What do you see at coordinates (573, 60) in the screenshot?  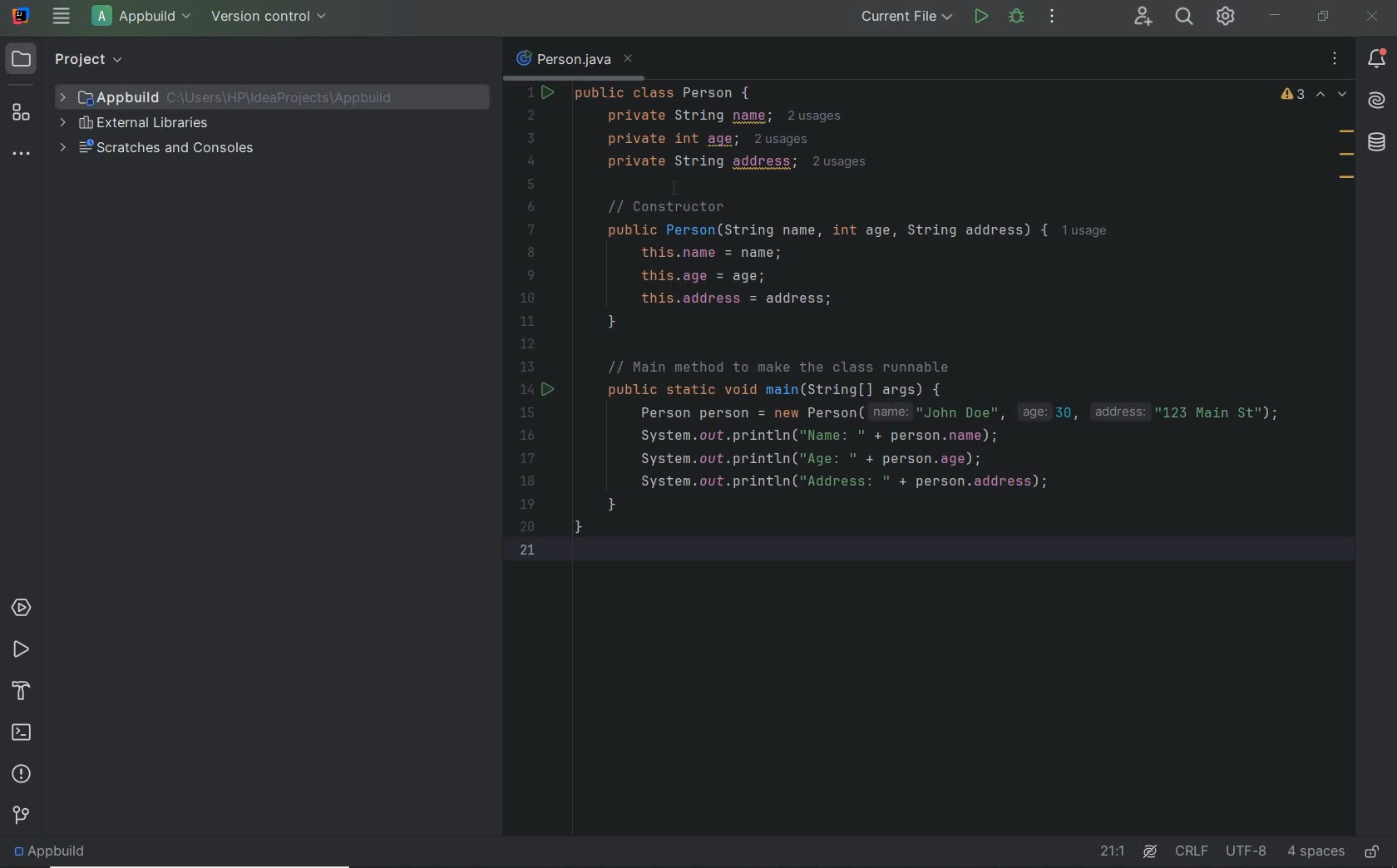 I see `person.java` at bounding box center [573, 60].